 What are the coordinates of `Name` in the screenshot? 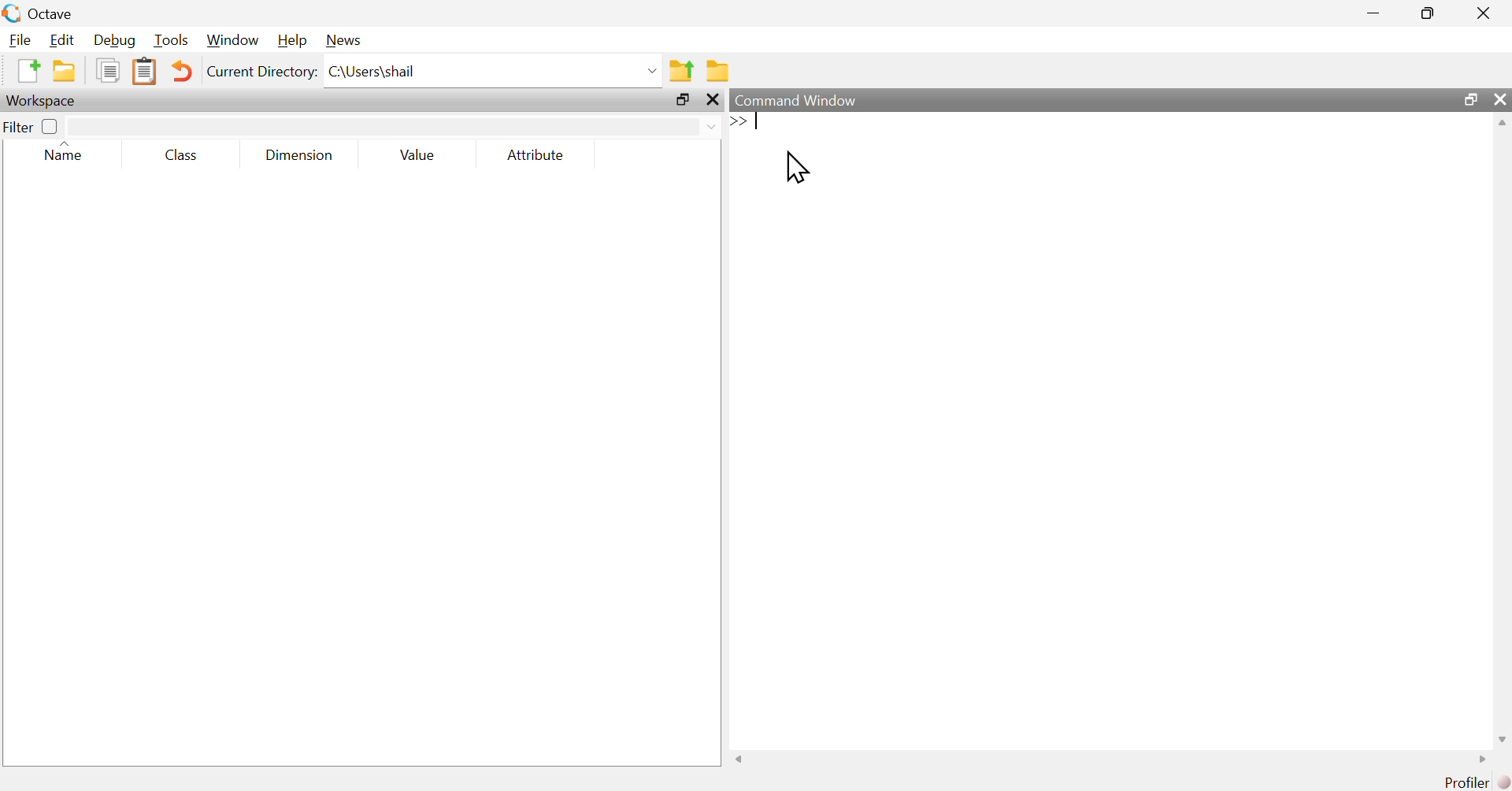 It's located at (71, 153).